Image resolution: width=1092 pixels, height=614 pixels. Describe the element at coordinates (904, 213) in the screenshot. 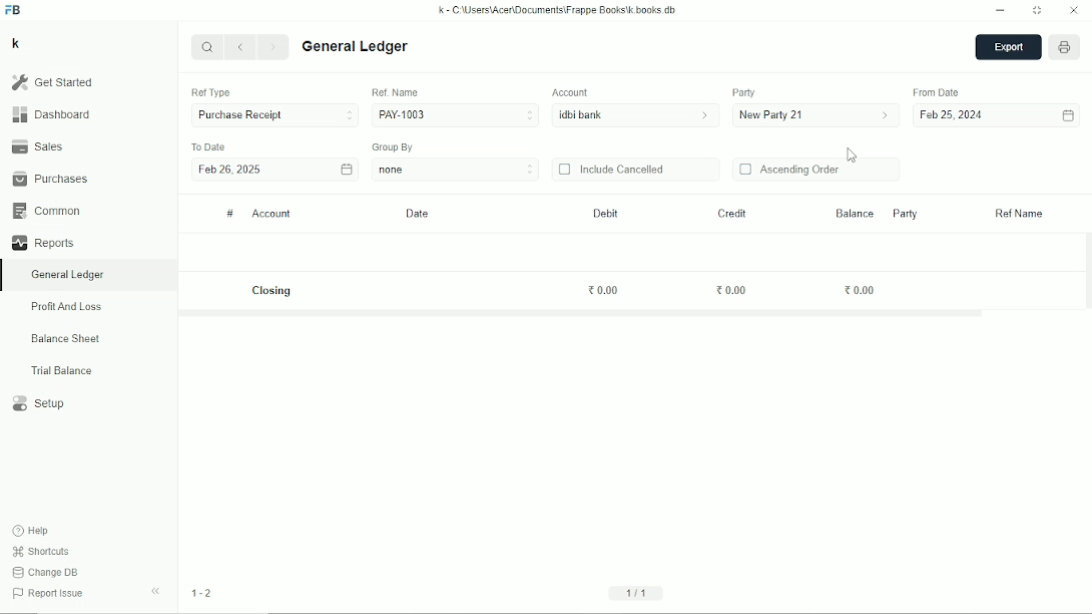

I see `Party` at that location.